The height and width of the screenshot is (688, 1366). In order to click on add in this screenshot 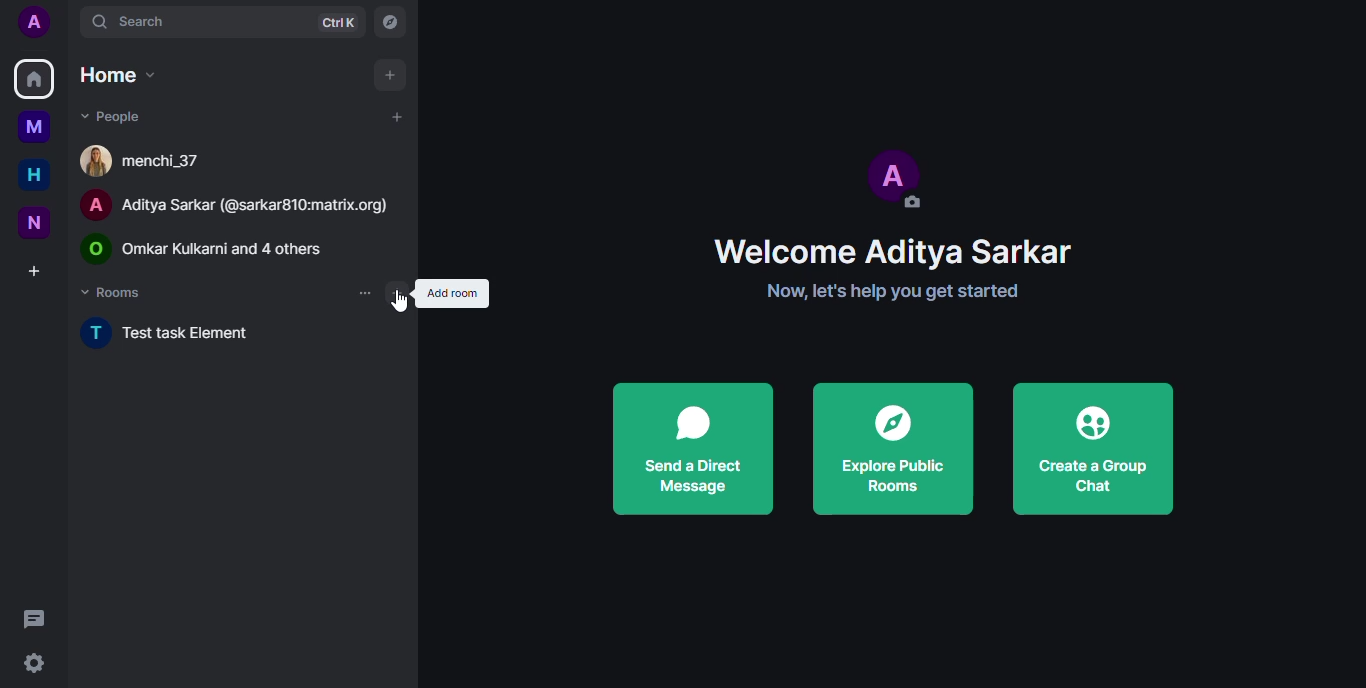, I will do `click(391, 73)`.